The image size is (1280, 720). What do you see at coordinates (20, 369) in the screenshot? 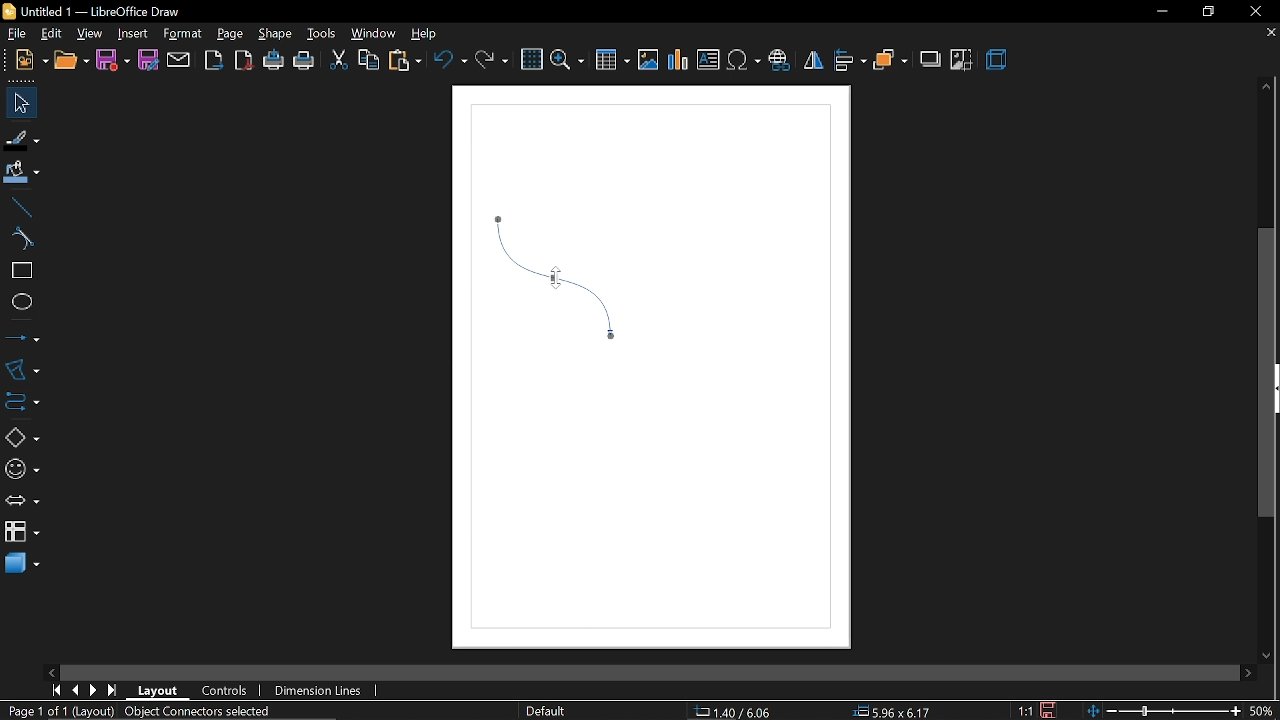
I see `curves and polygons` at bounding box center [20, 369].